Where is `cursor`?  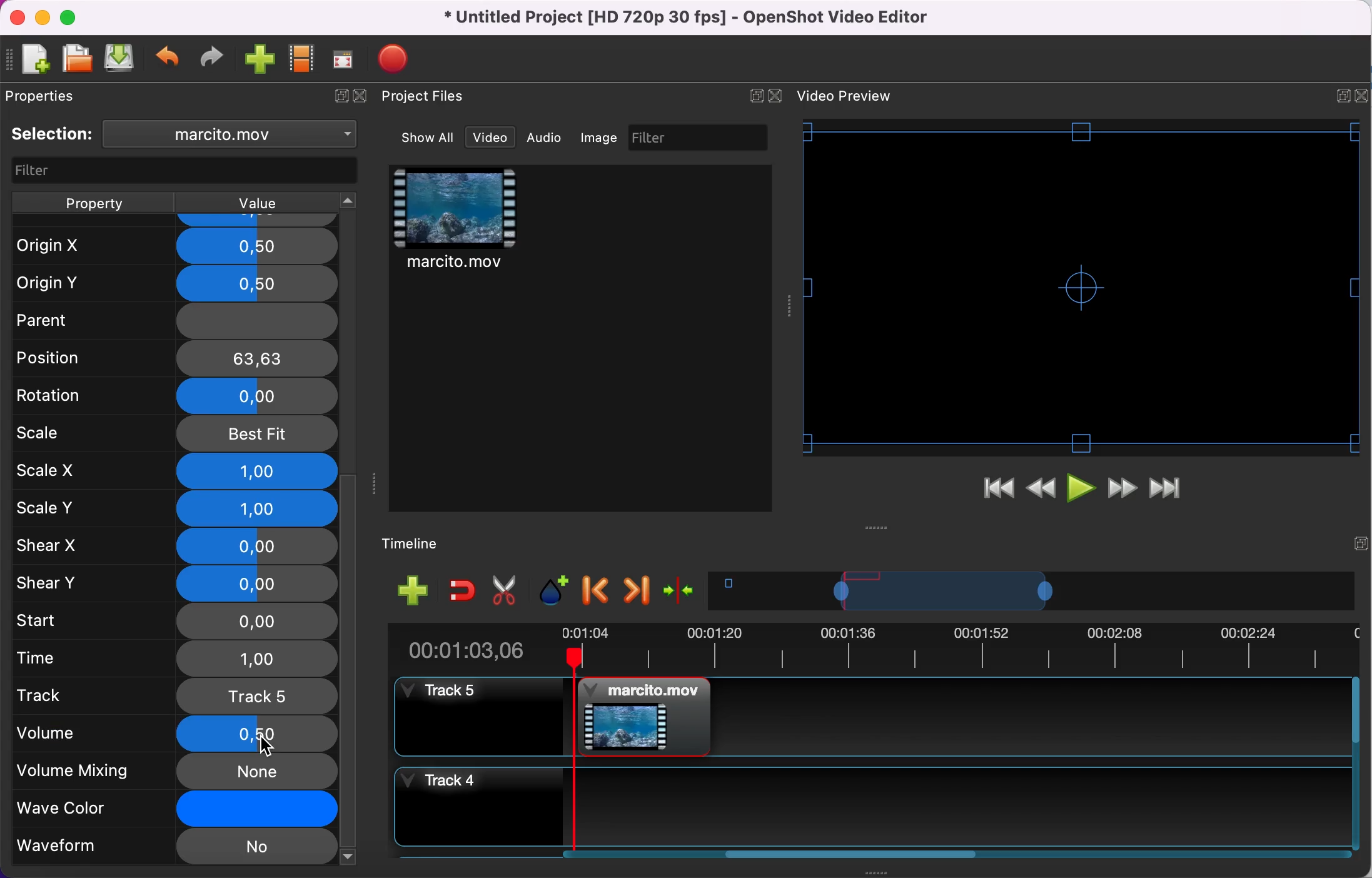 cursor is located at coordinates (268, 745).